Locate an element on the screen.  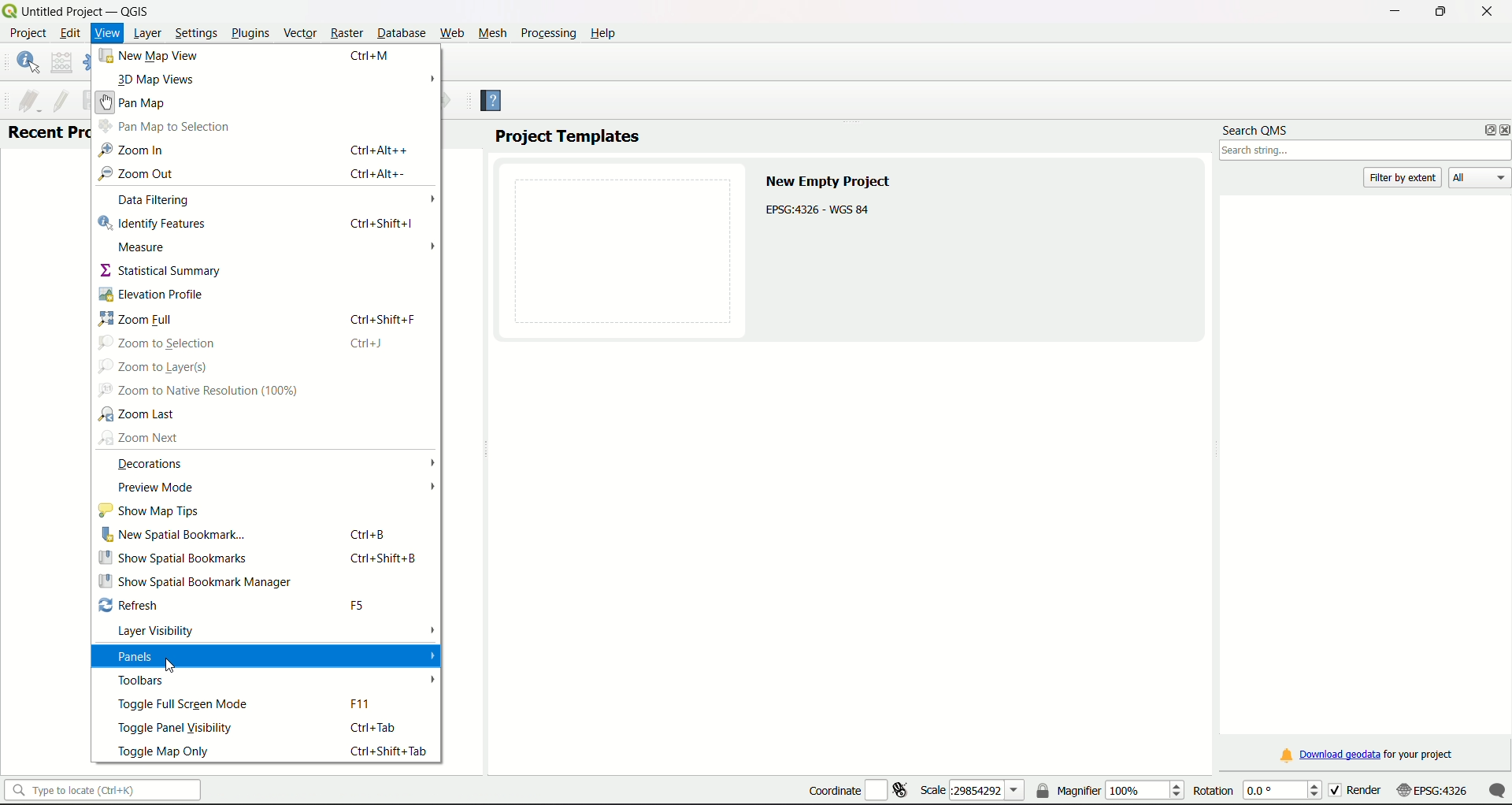
toggle map only is located at coordinates (165, 751).